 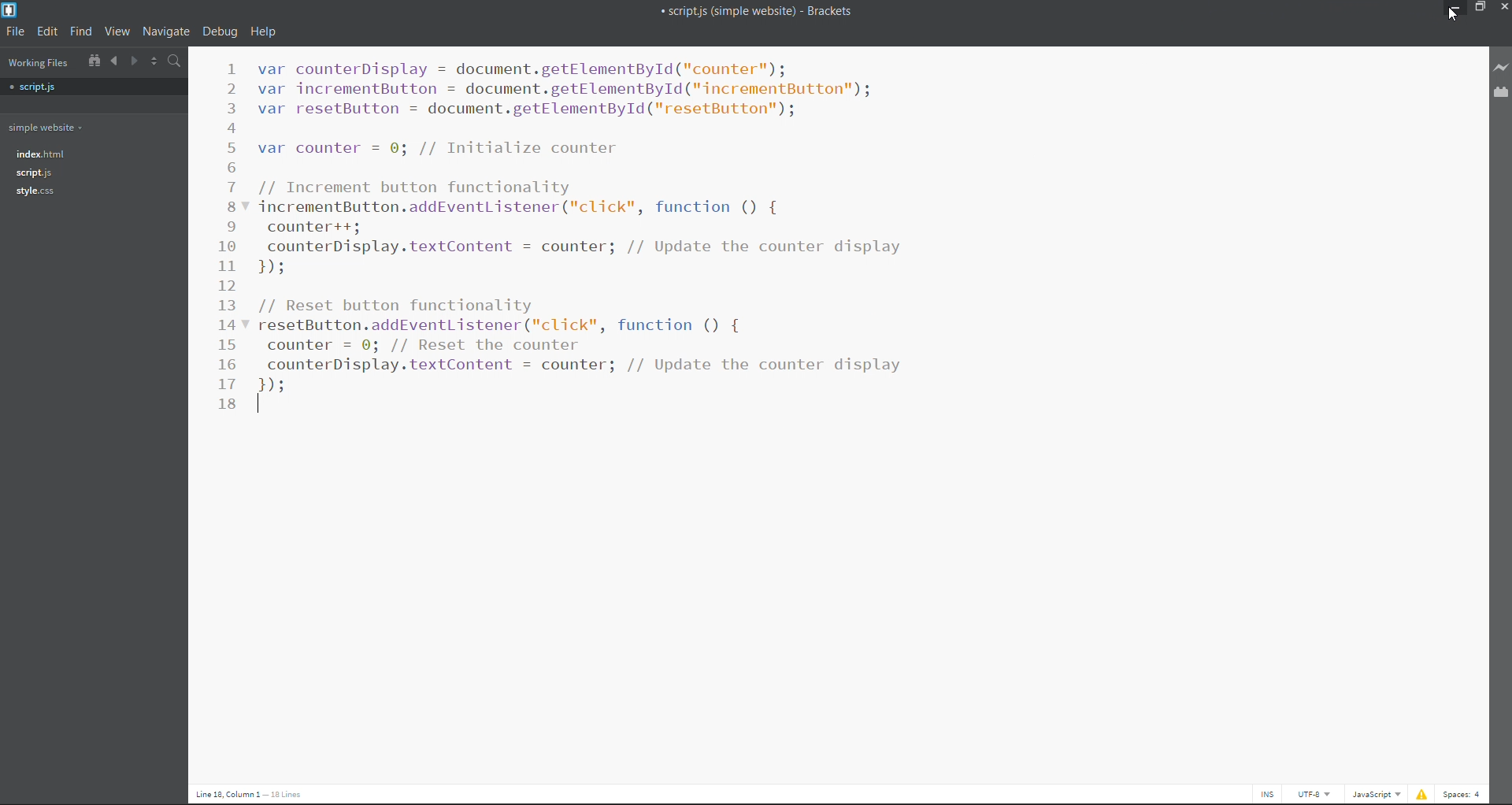 What do you see at coordinates (264, 32) in the screenshot?
I see `help` at bounding box center [264, 32].